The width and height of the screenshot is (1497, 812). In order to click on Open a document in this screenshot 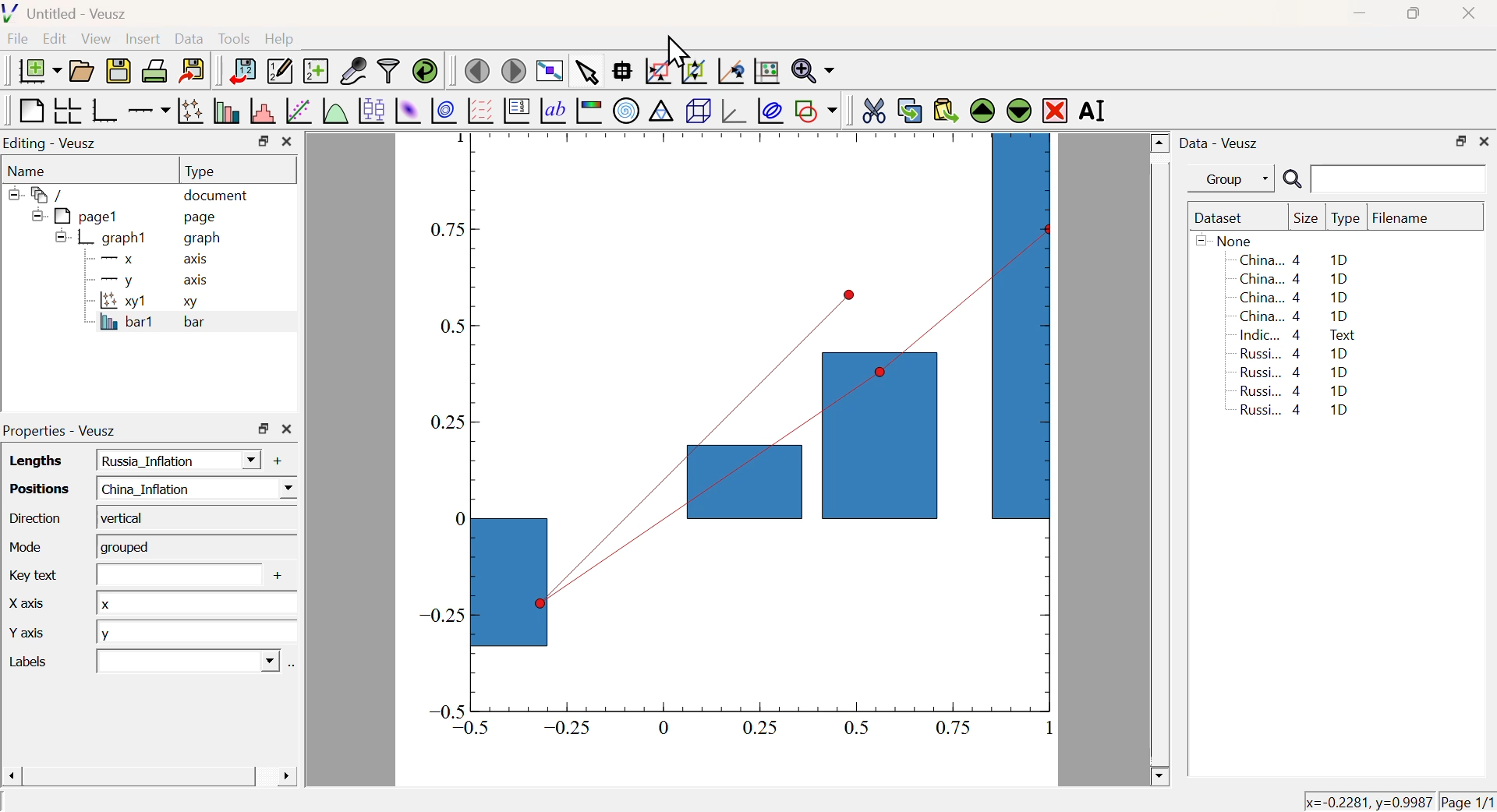, I will do `click(80, 71)`.